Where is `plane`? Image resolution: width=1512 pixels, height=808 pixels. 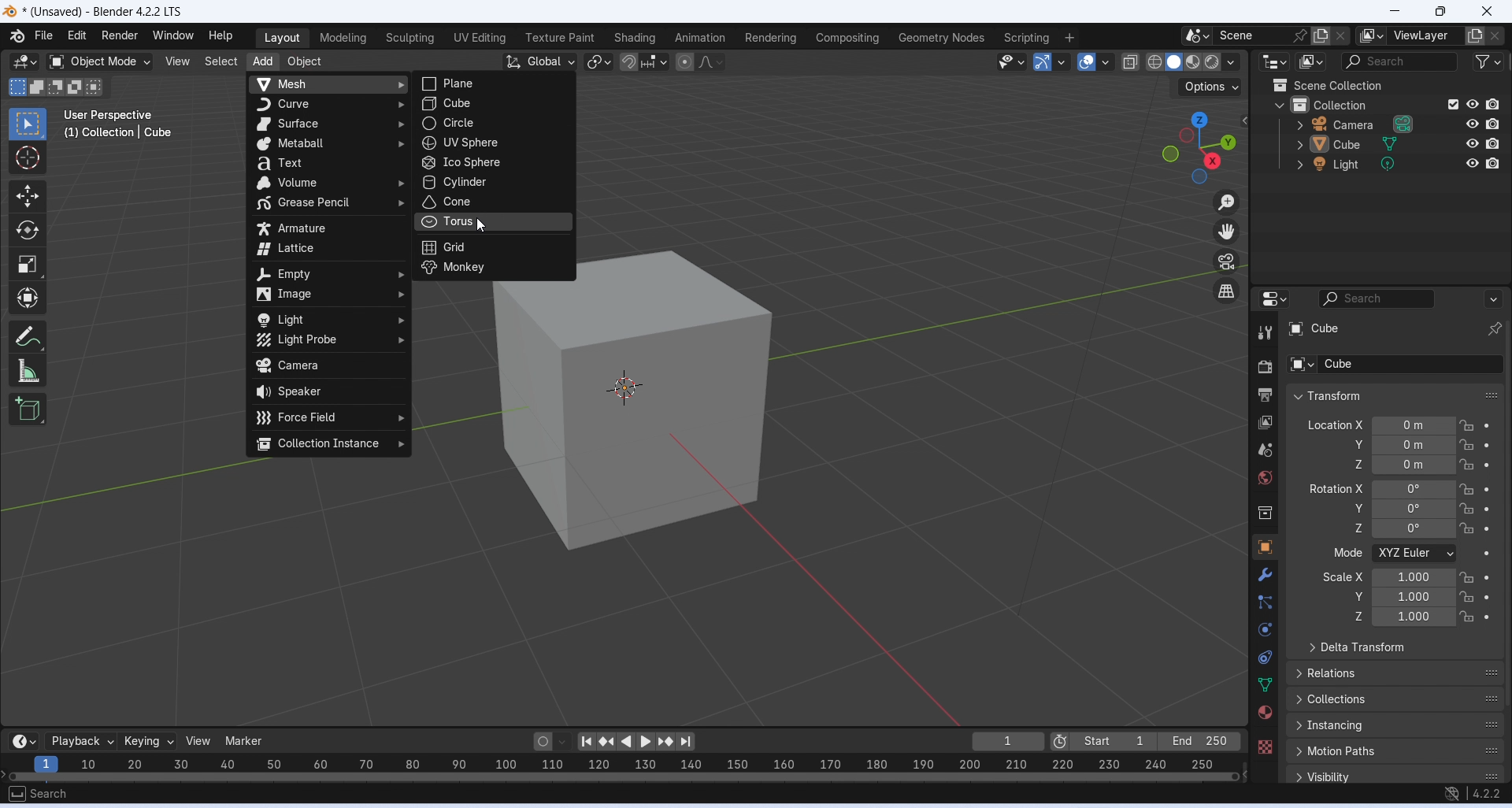
plane is located at coordinates (493, 83).